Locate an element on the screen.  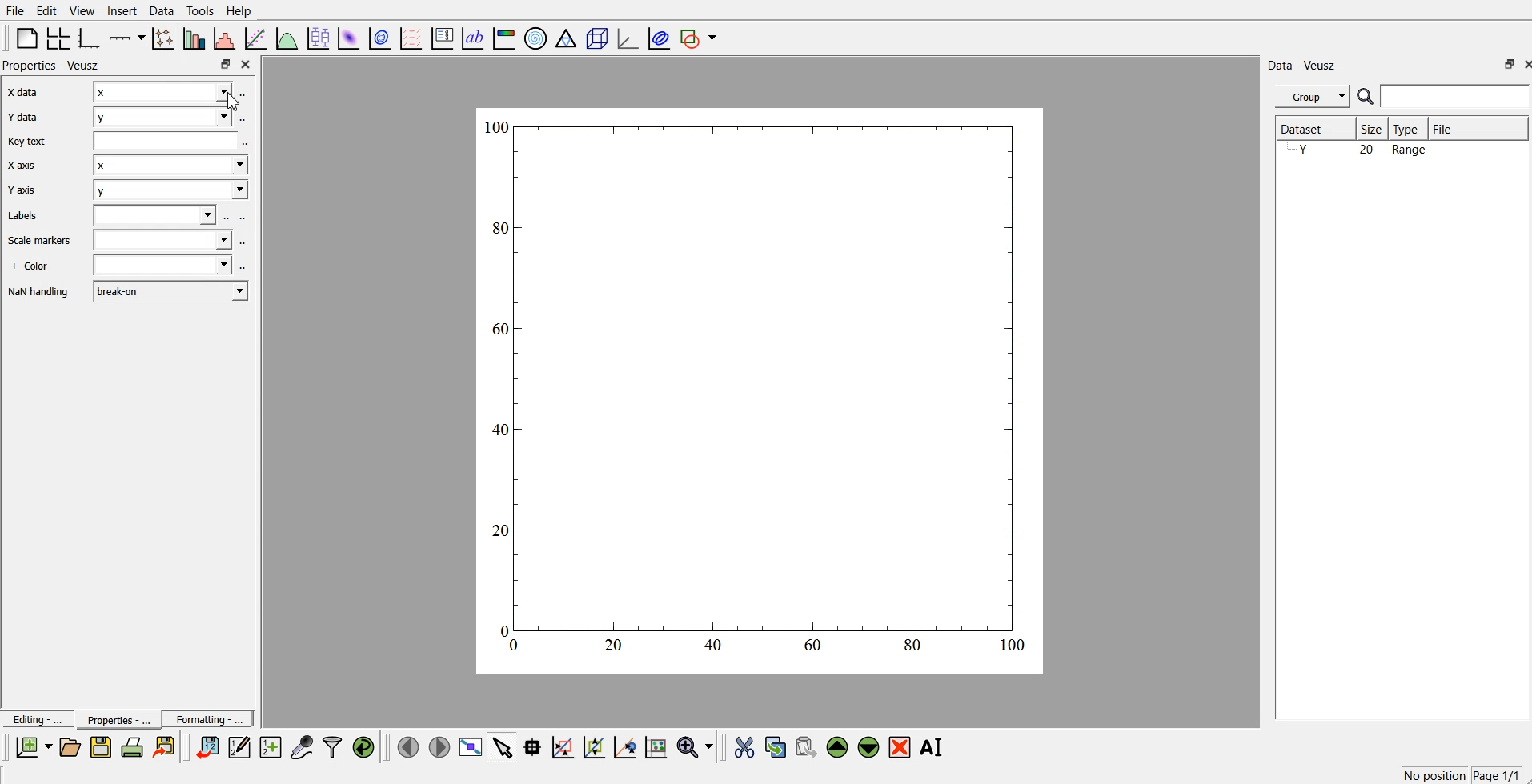
| X axis, is located at coordinates (24, 167).